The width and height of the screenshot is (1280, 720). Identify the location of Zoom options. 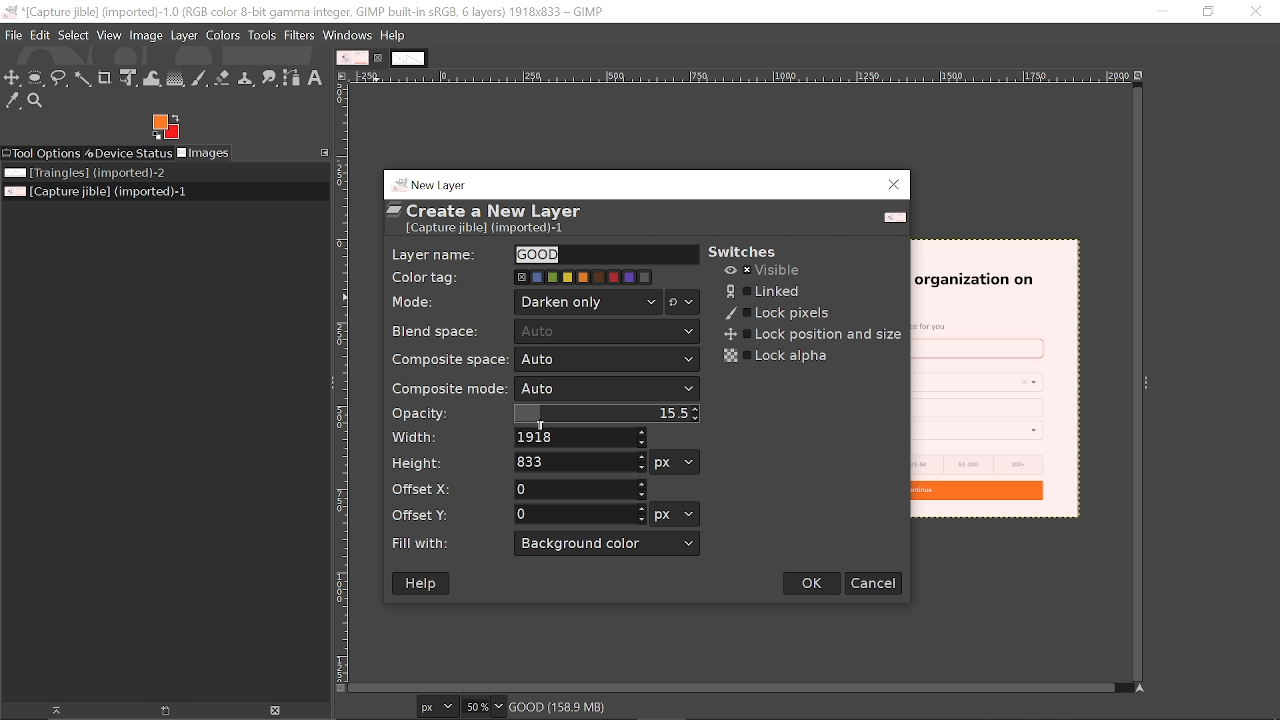
(501, 706).